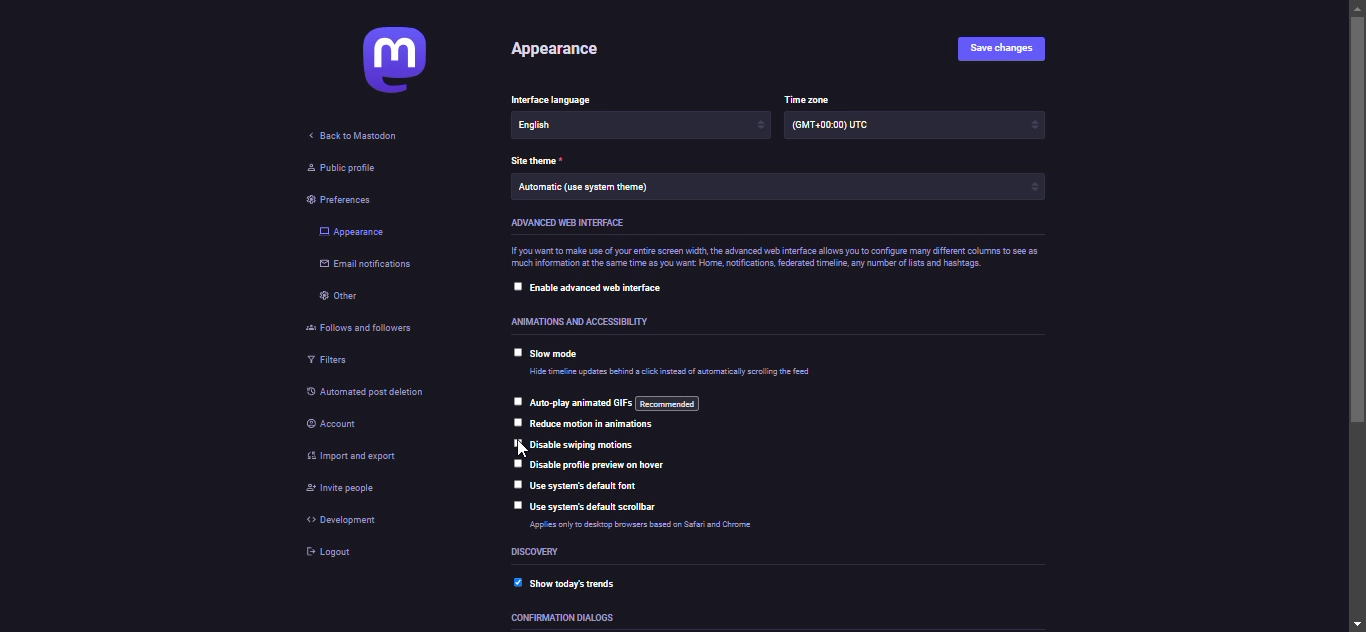 This screenshot has width=1366, height=632. Describe the element at coordinates (343, 492) in the screenshot. I see `invite people` at that location.